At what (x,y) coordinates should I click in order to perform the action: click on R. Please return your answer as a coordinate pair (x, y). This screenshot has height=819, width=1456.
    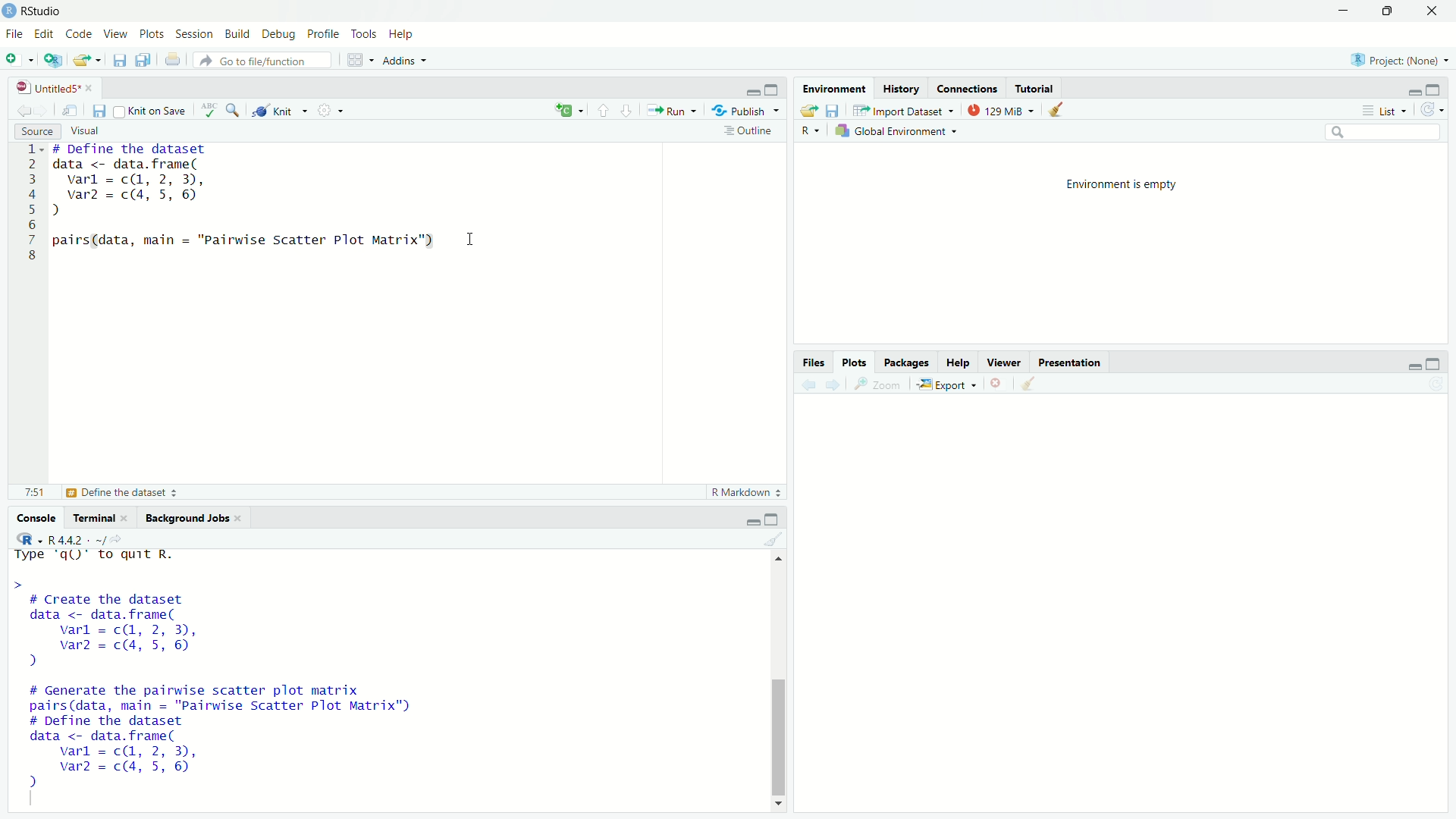
    Looking at the image, I should click on (26, 538).